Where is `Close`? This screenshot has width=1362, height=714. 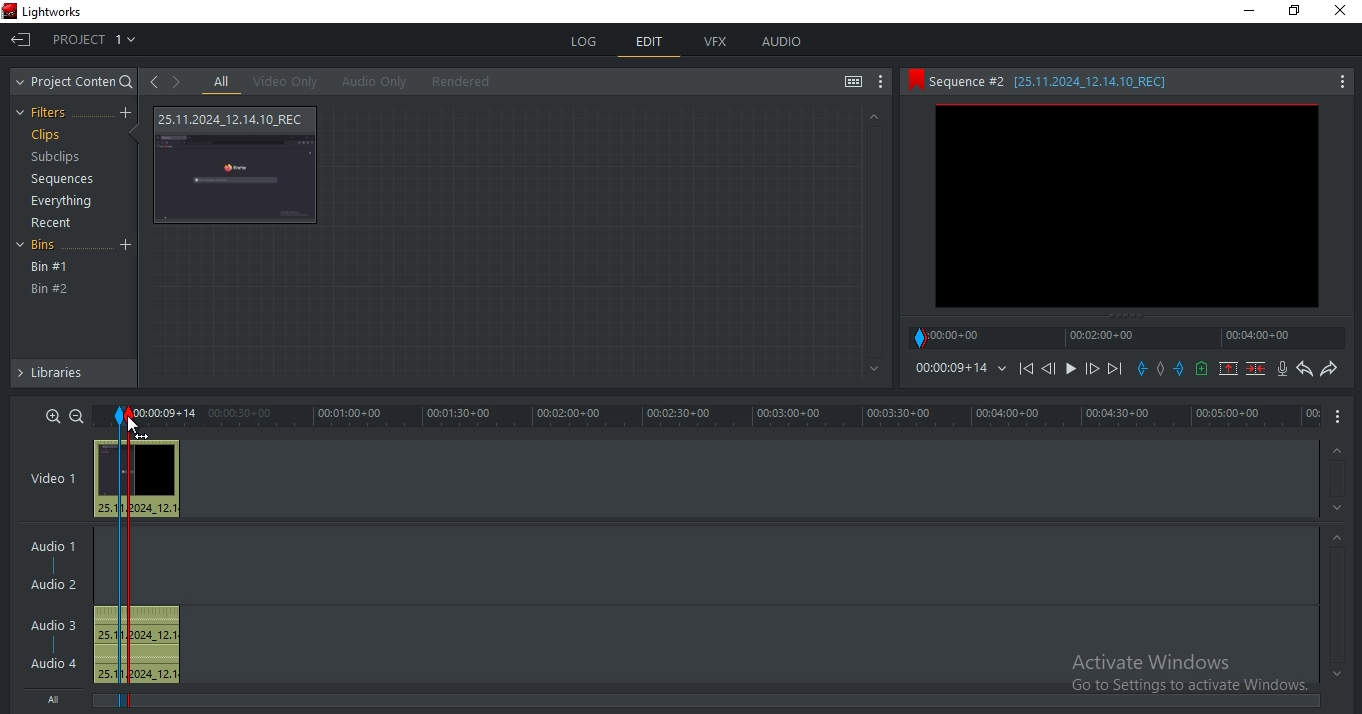 Close is located at coordinates (1343, 15).